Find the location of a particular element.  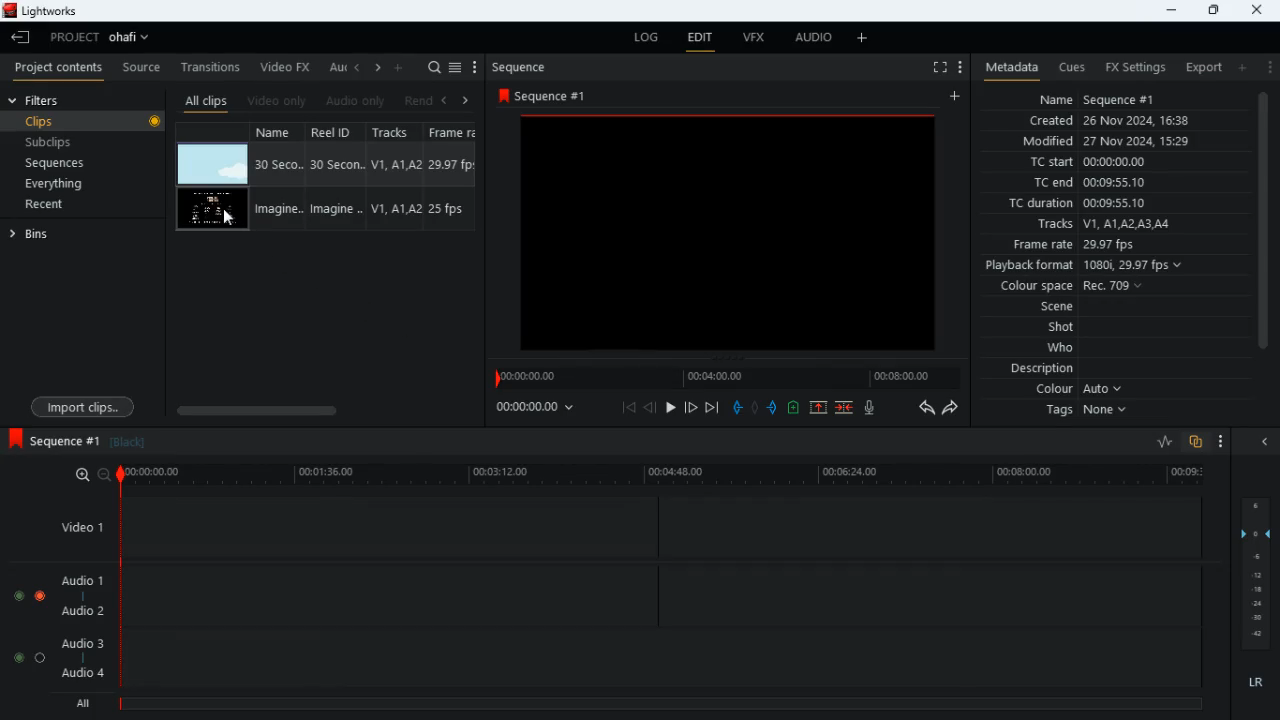

audio only is located at coordinates (357, 101).